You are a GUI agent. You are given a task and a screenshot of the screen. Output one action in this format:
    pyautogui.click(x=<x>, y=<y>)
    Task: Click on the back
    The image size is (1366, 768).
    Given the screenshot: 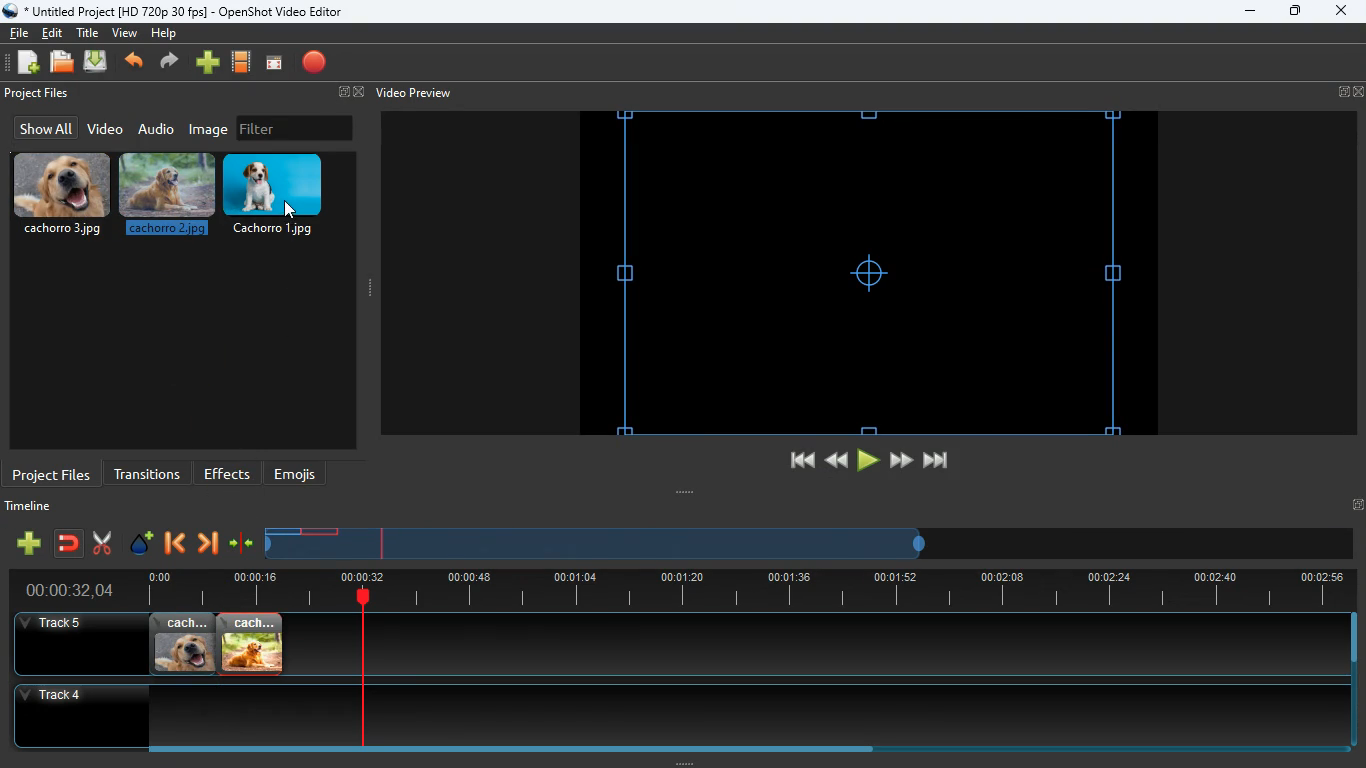 What is the action you would take?
    pyautogui.click(x=173, y=545)
    